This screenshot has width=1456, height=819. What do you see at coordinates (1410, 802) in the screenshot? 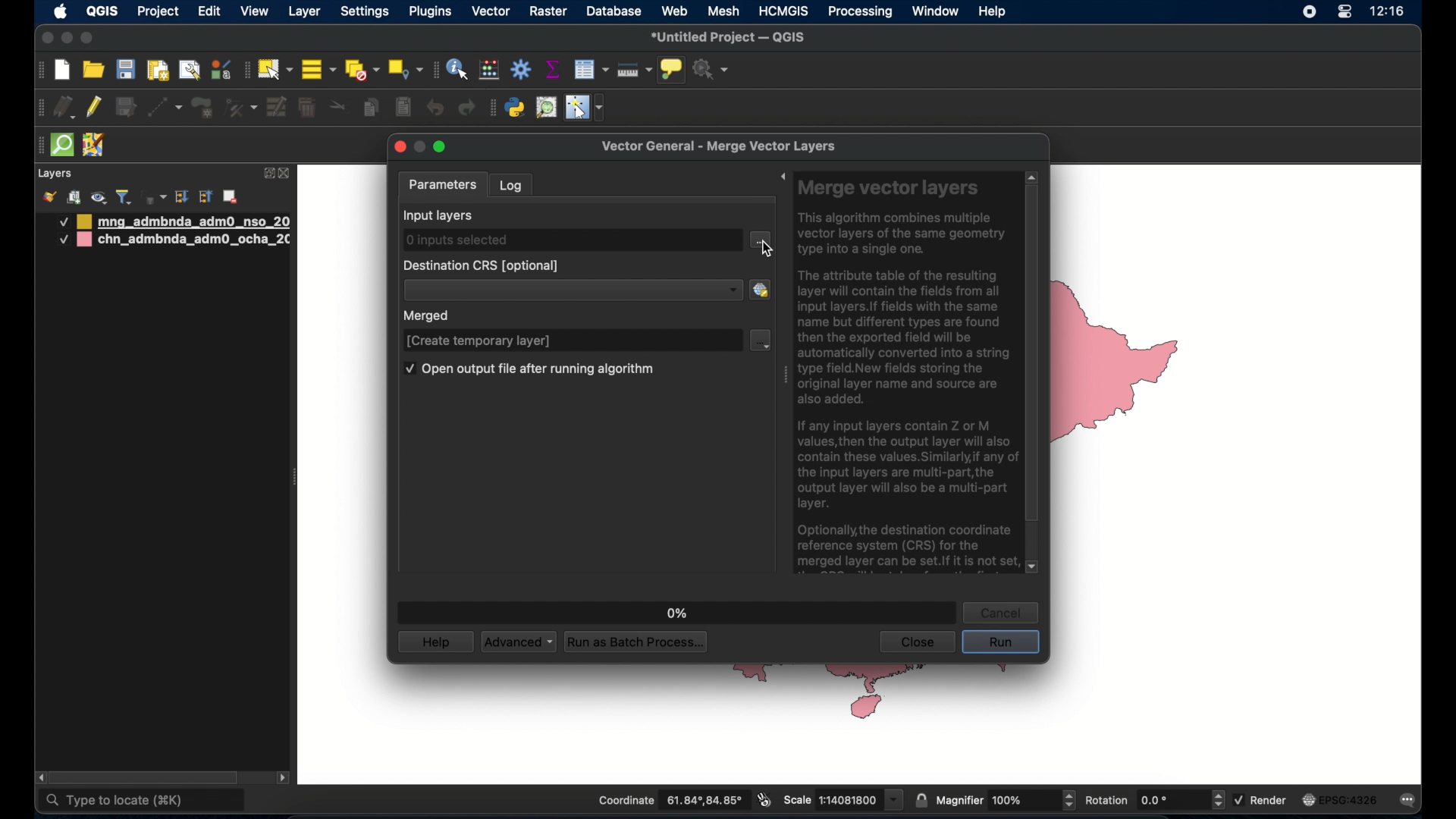
I see `messages` at bounding box center [1410, 802].